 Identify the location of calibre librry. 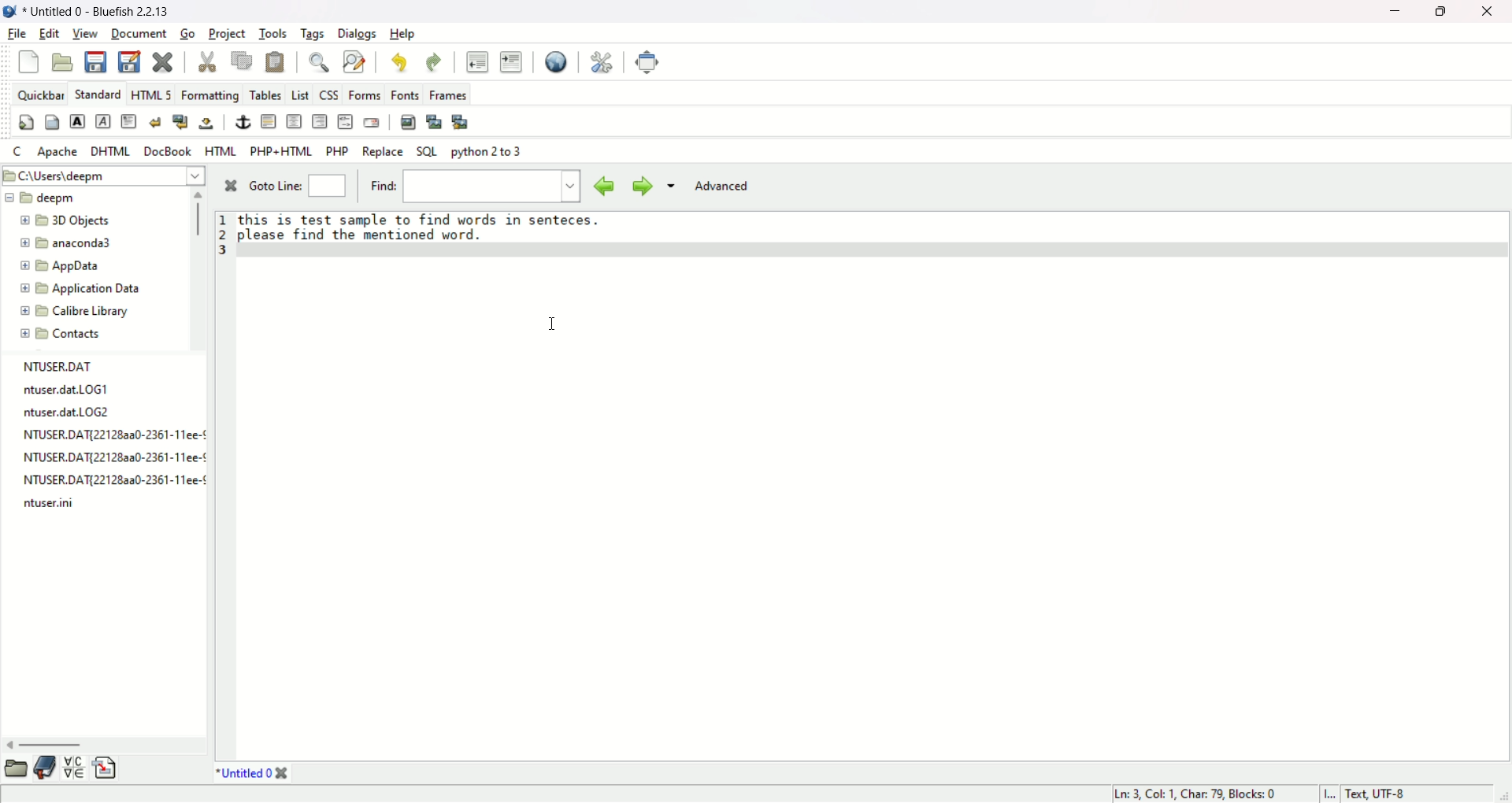
(74, 313).